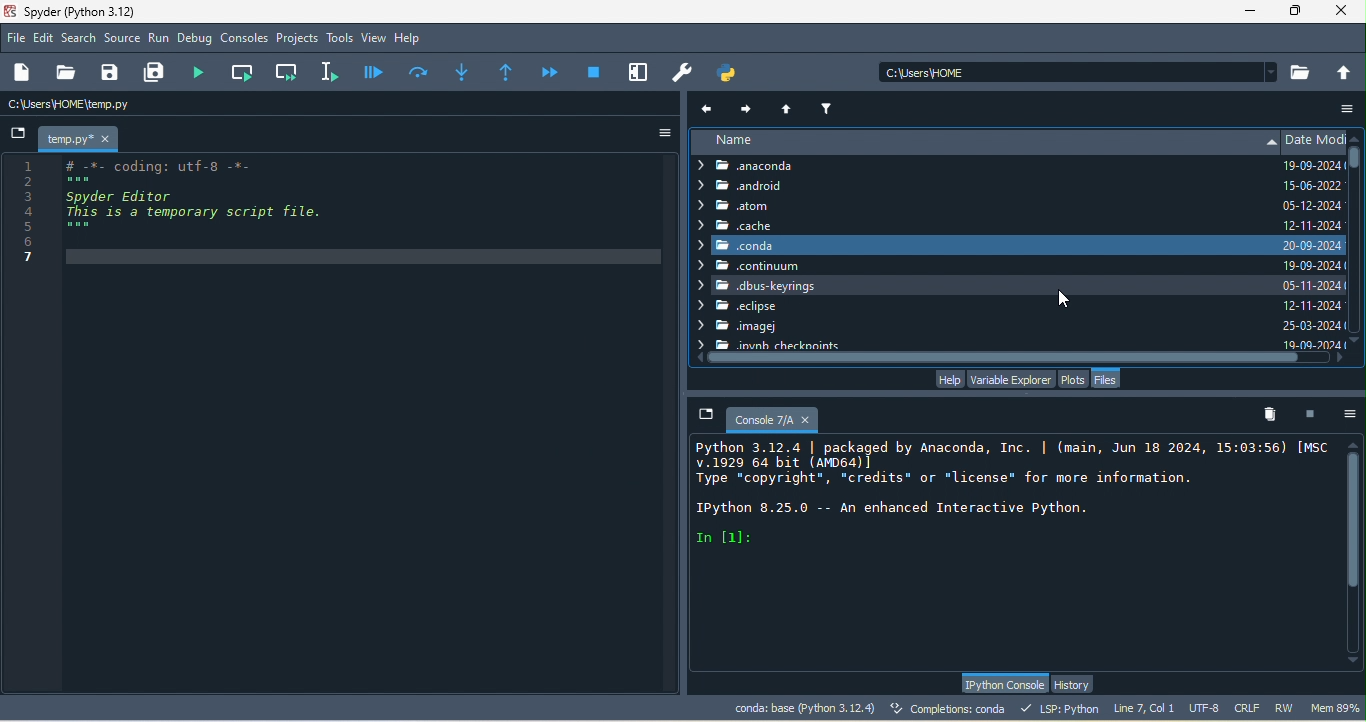  Describe the element at coordinates (948, 379) in the screenshot. I see `help` at that location.